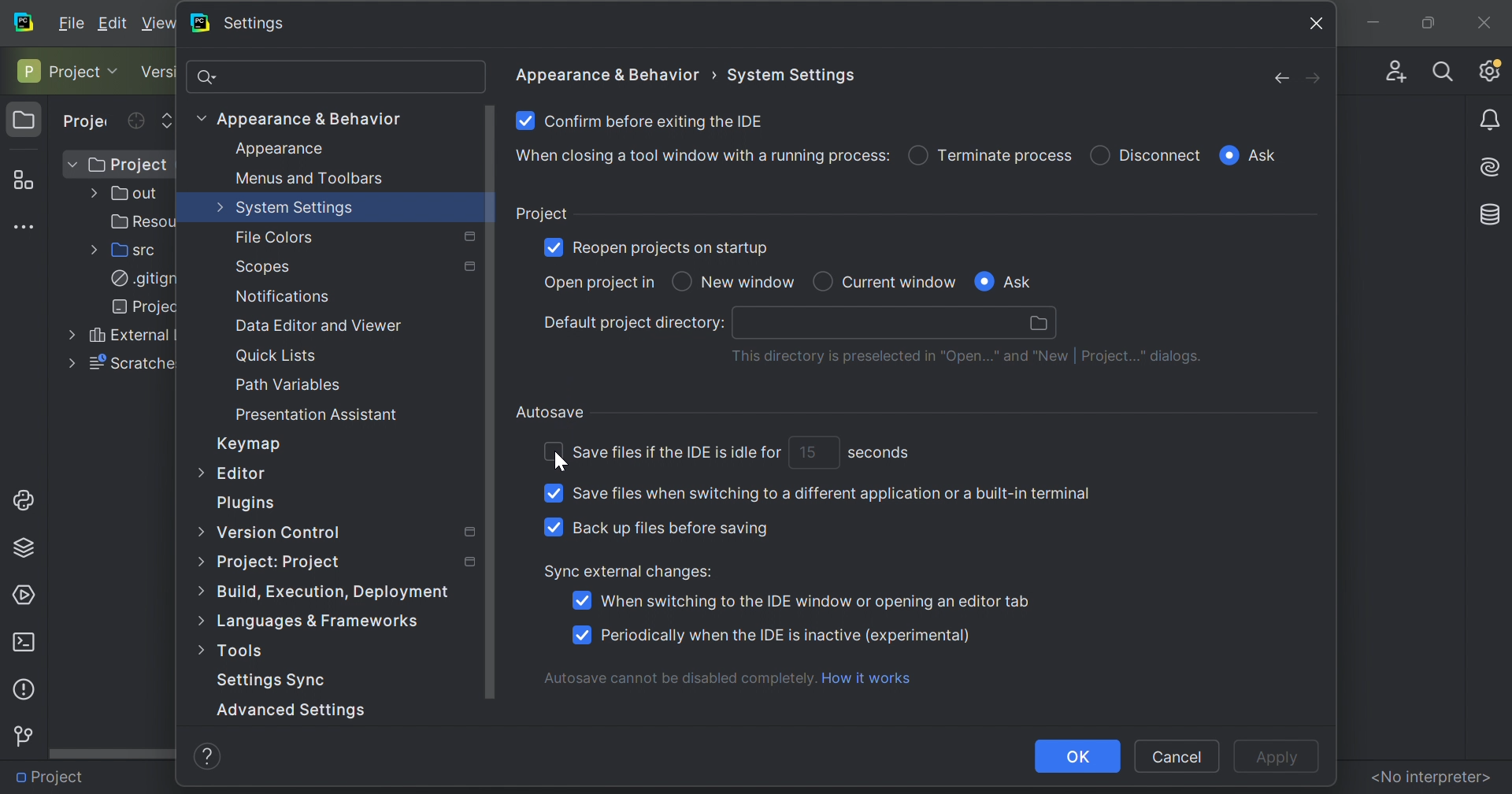  I want to click on Python console, so click(27, 499).